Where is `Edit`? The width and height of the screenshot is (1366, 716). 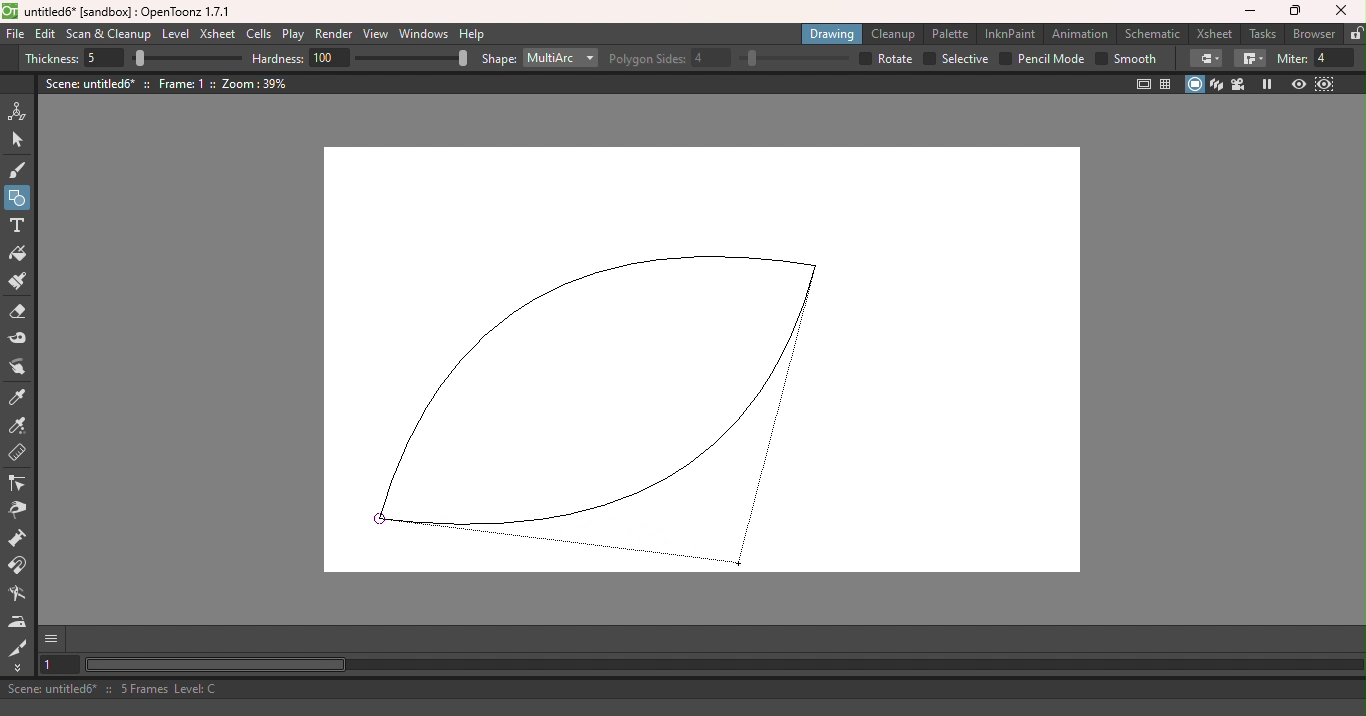 Edit is located at coordinates (45, 36).